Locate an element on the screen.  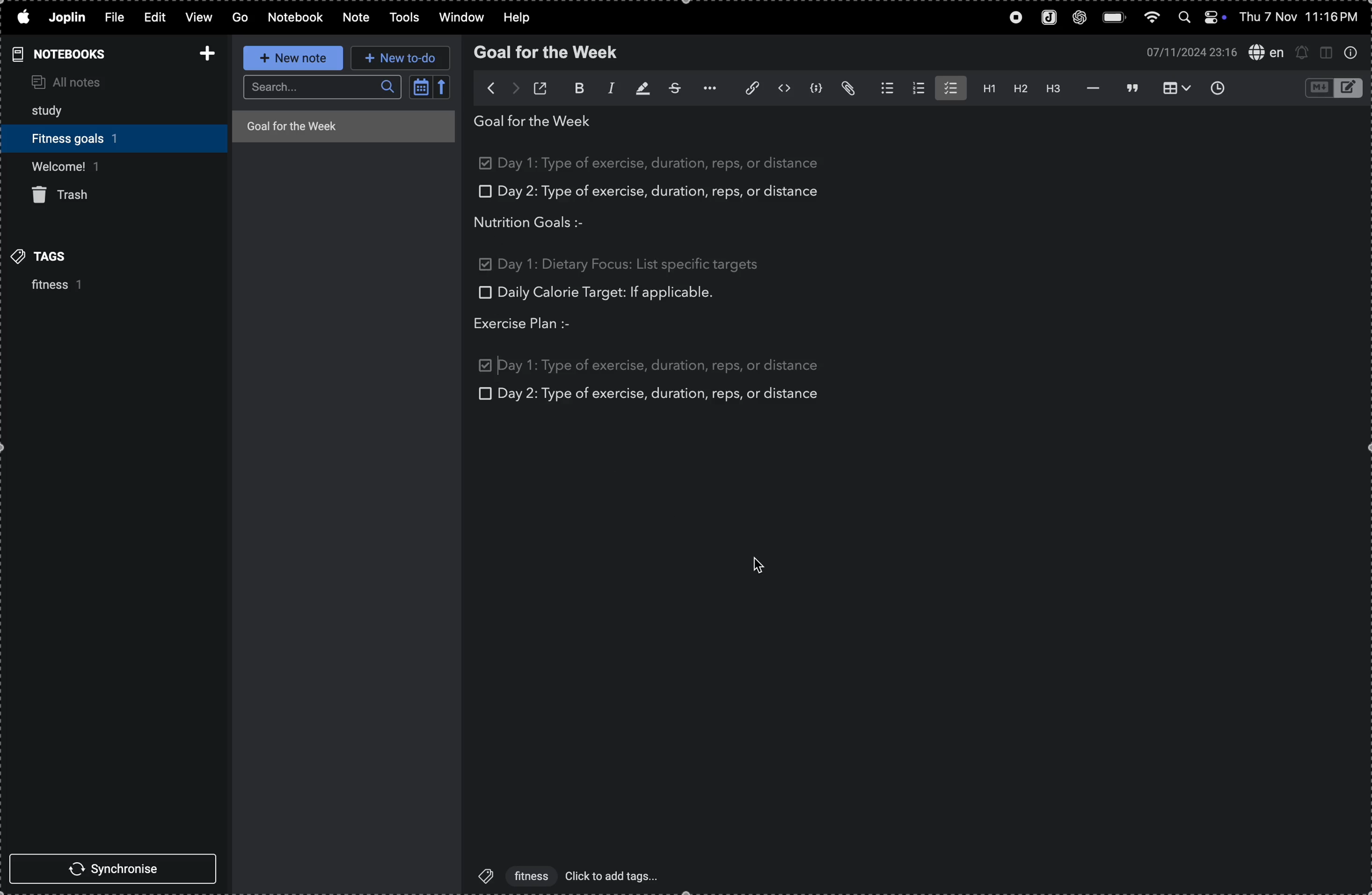
set alert is located at coordinates (1302, 52).